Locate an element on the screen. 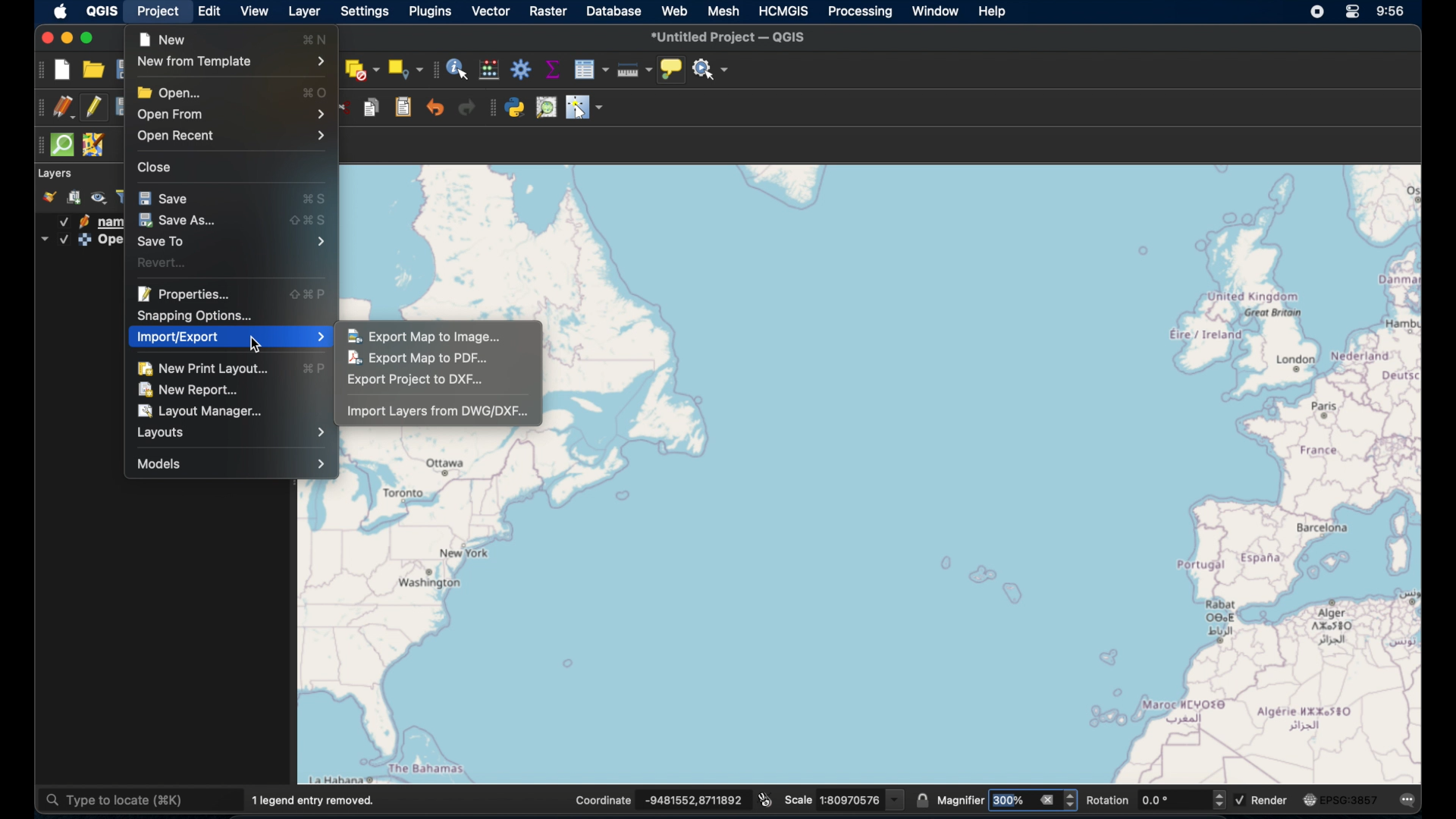 The width and height of the screenshot is (1456, 819). toggle editing is located at coordinates (93, 108).